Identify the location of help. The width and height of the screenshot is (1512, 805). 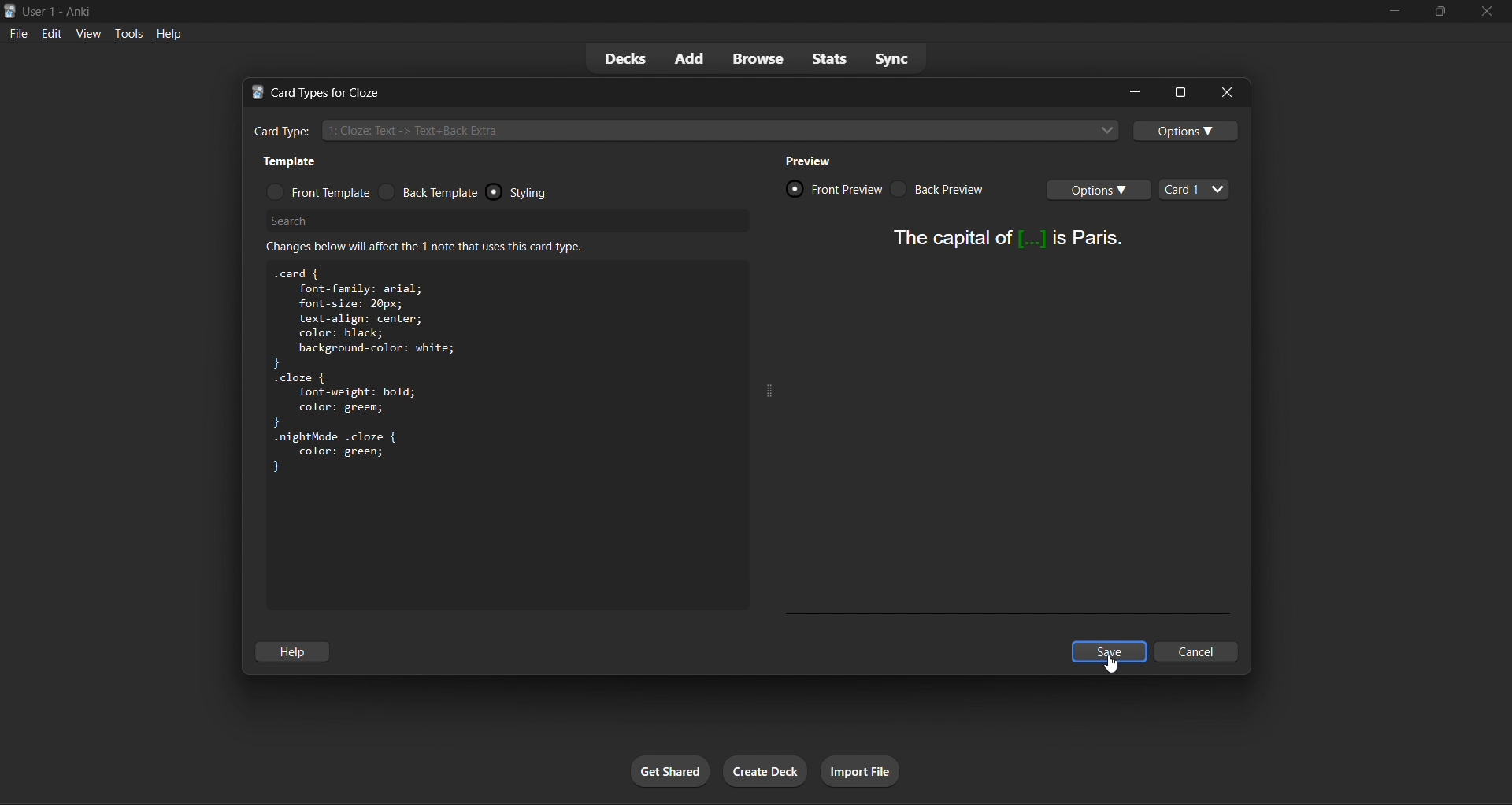
(294, 652).